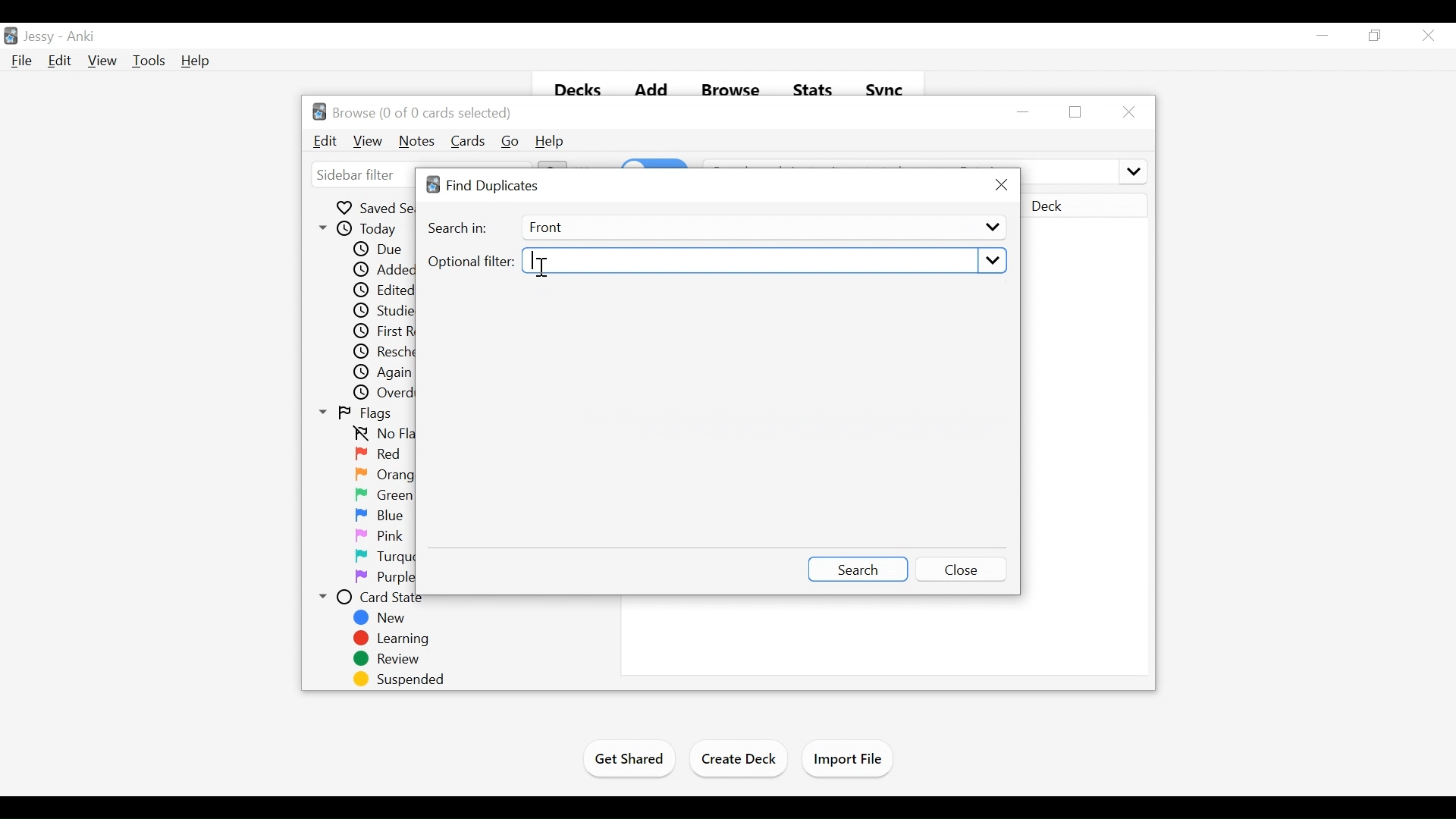 The image size is (1456, 819). What do you see at coordinates (1375, 35) in the screenshot?
I see `Restore` at bounding box center [1375, 35].